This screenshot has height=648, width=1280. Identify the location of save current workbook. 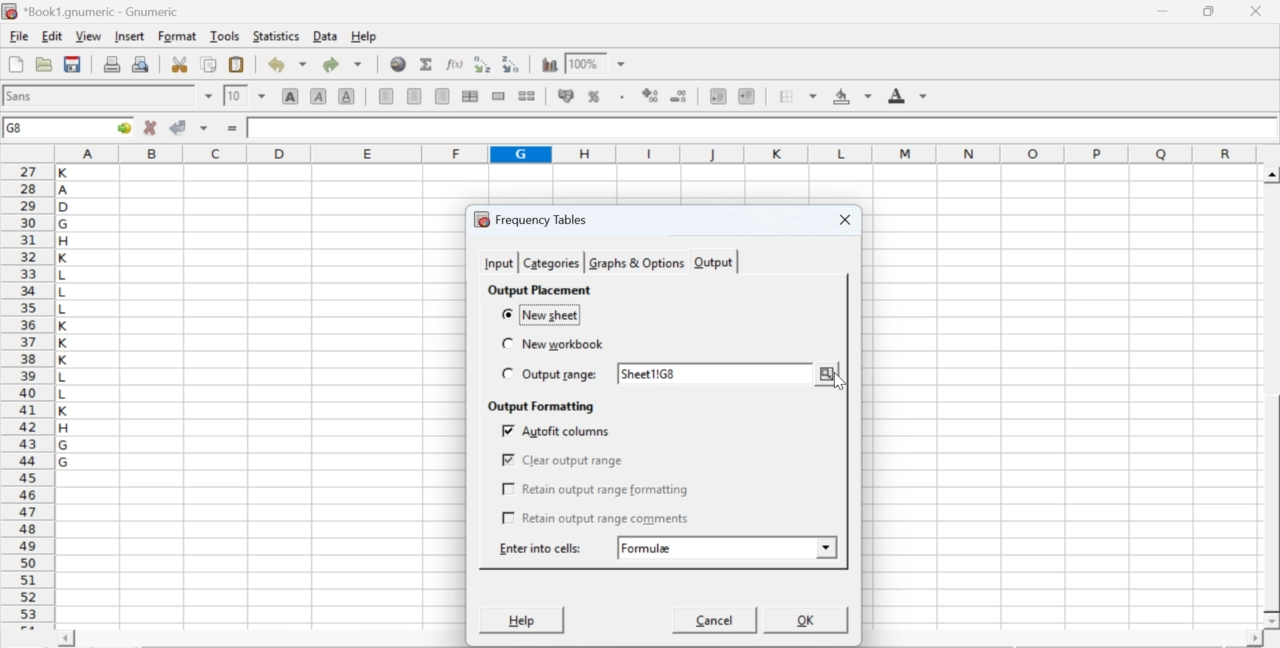
(73, 64).